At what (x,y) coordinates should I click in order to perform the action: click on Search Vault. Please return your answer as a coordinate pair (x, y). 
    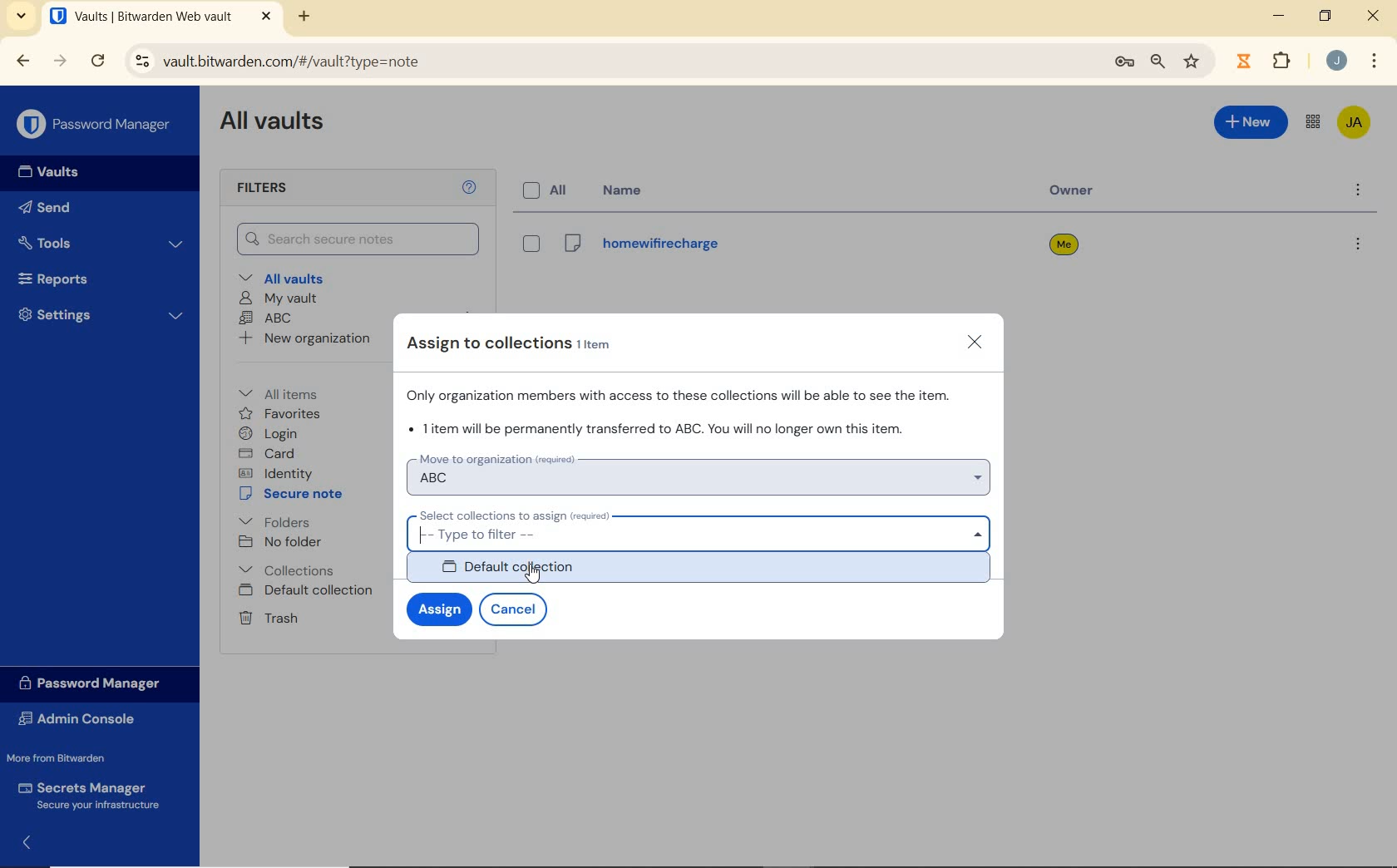
    Looking at the image, I should click on (358, 240).